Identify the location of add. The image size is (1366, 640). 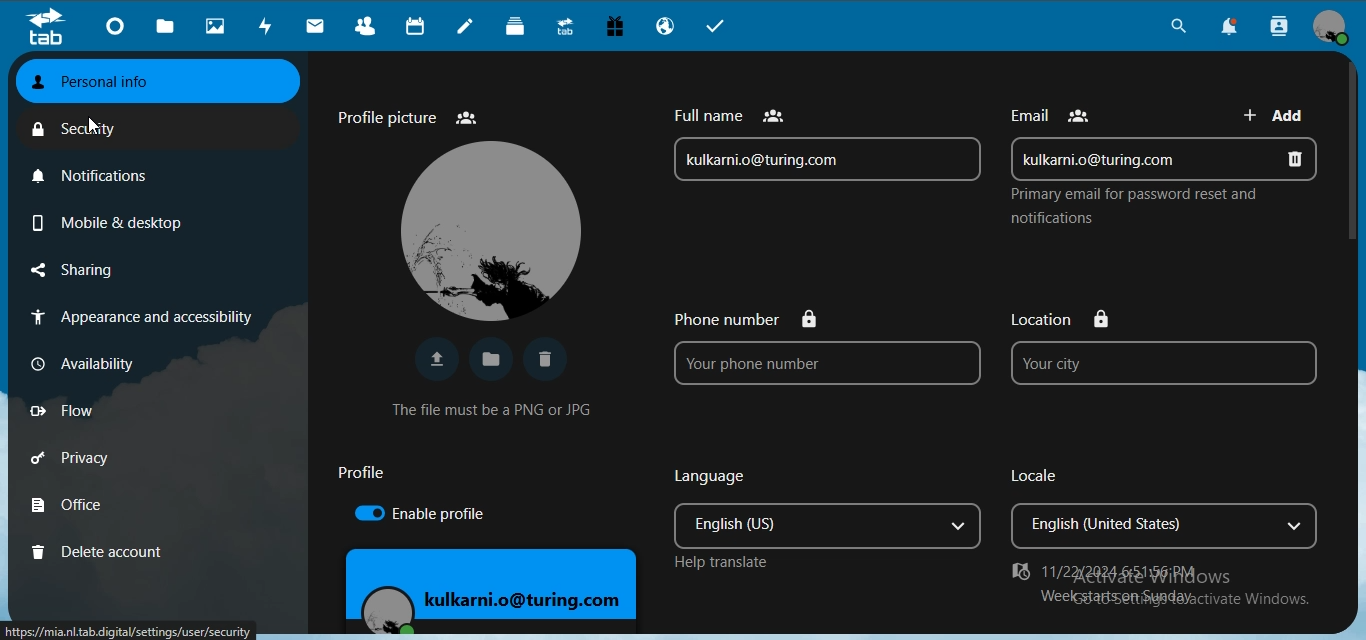
(1275, 118).